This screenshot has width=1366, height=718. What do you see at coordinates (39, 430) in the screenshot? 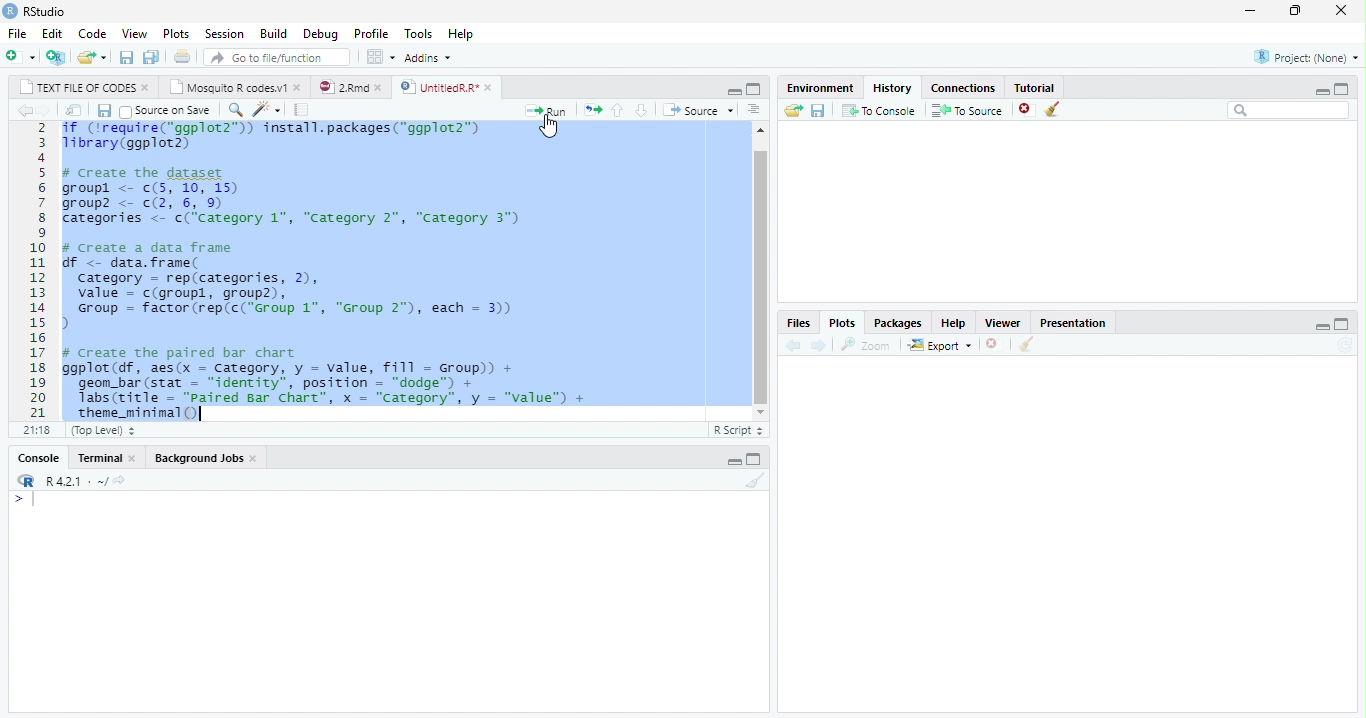
I see `21:18` at bounding box center [39, 430].